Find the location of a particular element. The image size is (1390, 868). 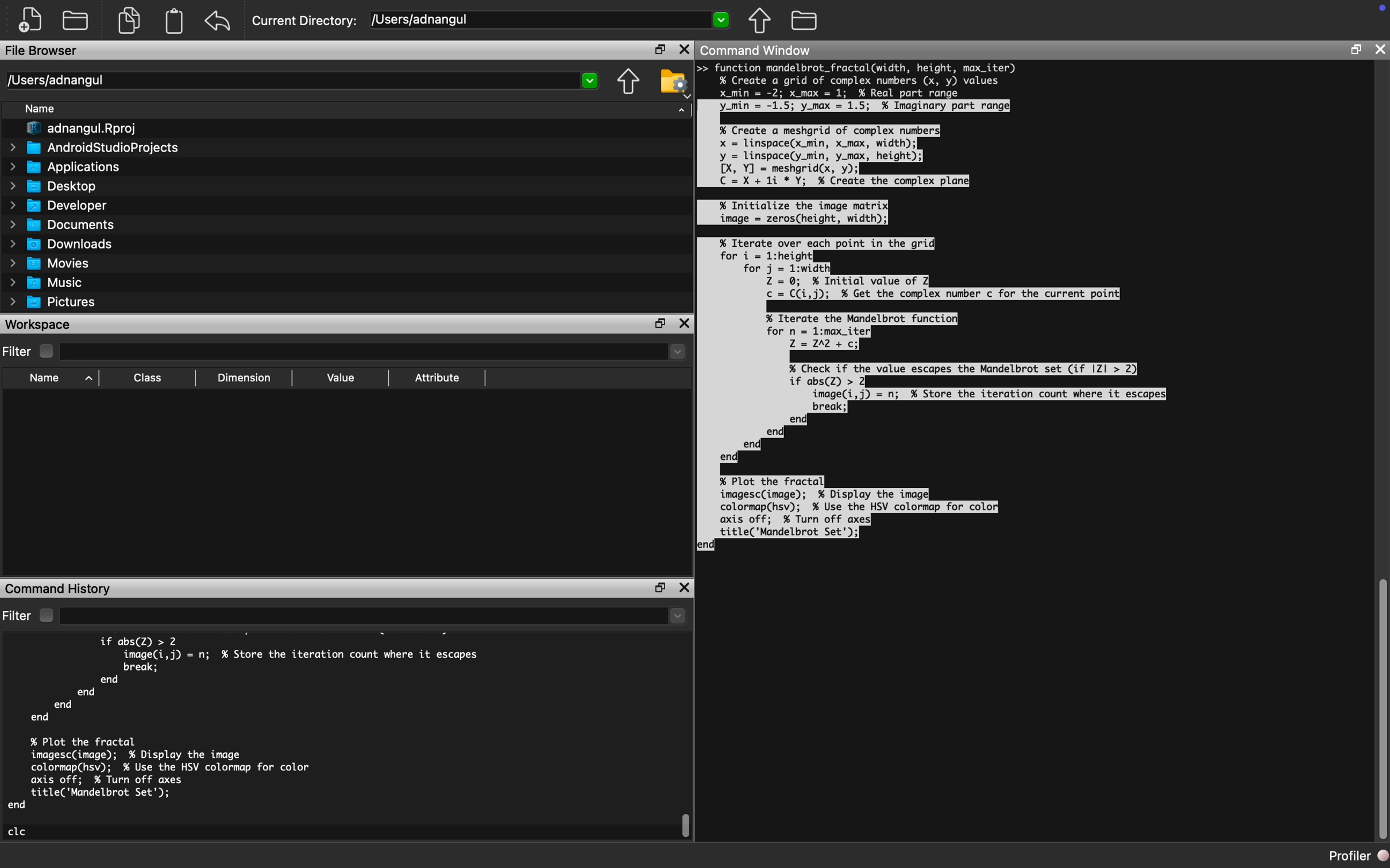

Dimension is located at coordinates (249, 378).